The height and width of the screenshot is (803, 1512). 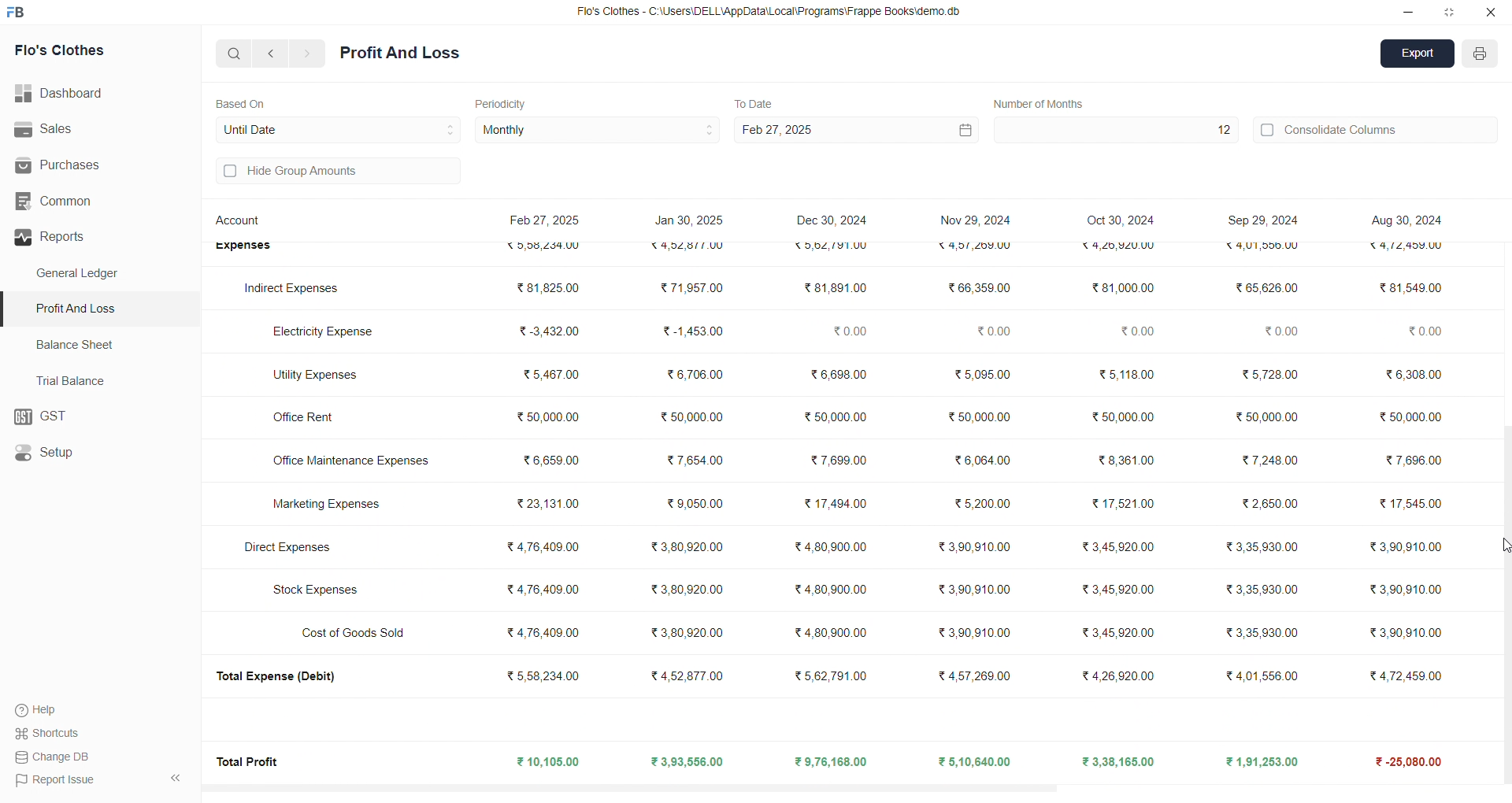 What do you see at coordinates (1402, 762) in the screenshot?
I see `₹-25,080.00` at bounding box center [1402, 762].